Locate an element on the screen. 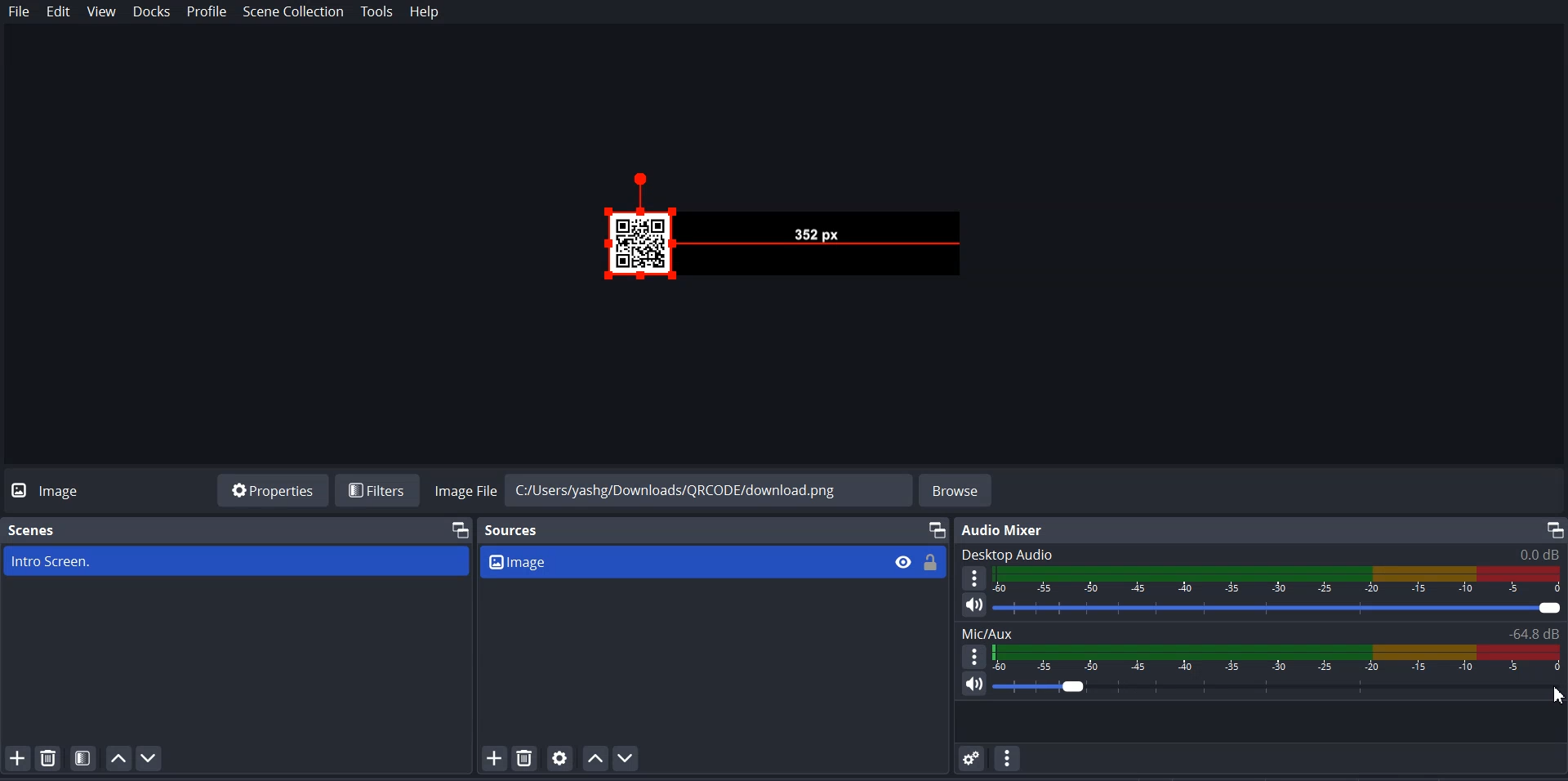  Docks is located at coordinates (151, 11).